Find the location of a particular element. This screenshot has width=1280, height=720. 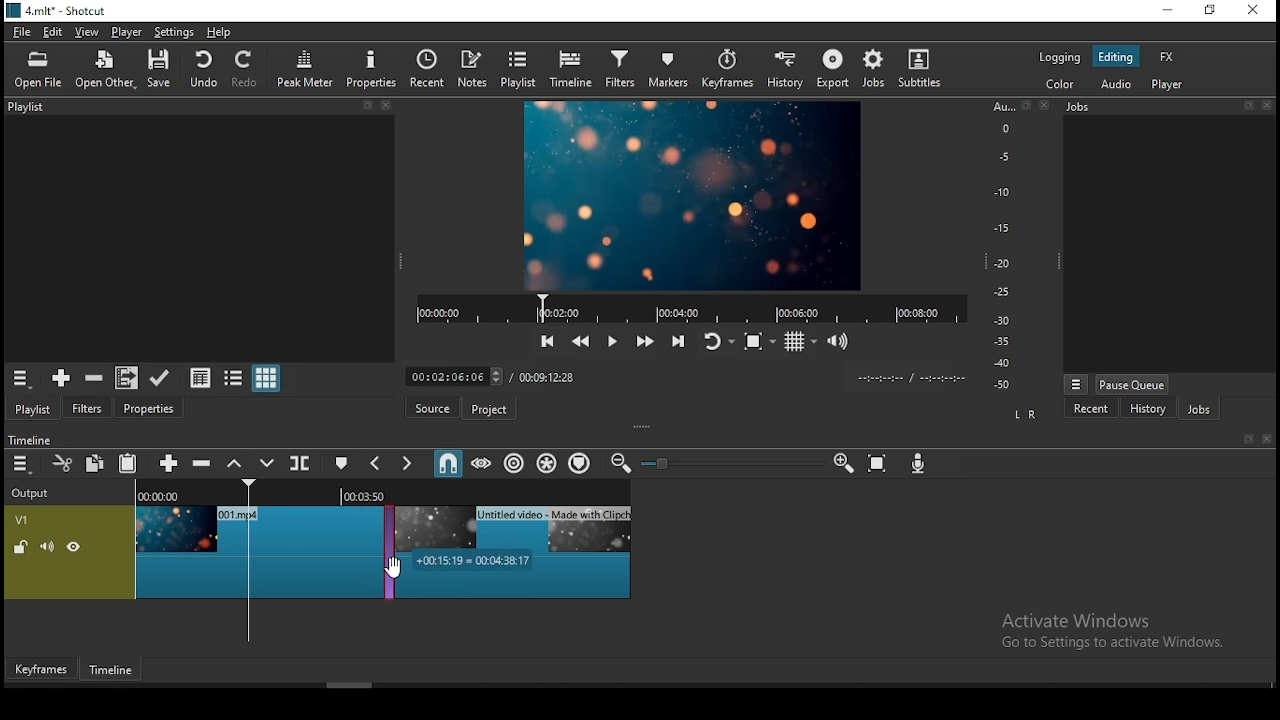

update is located at coordinates (159, 376).